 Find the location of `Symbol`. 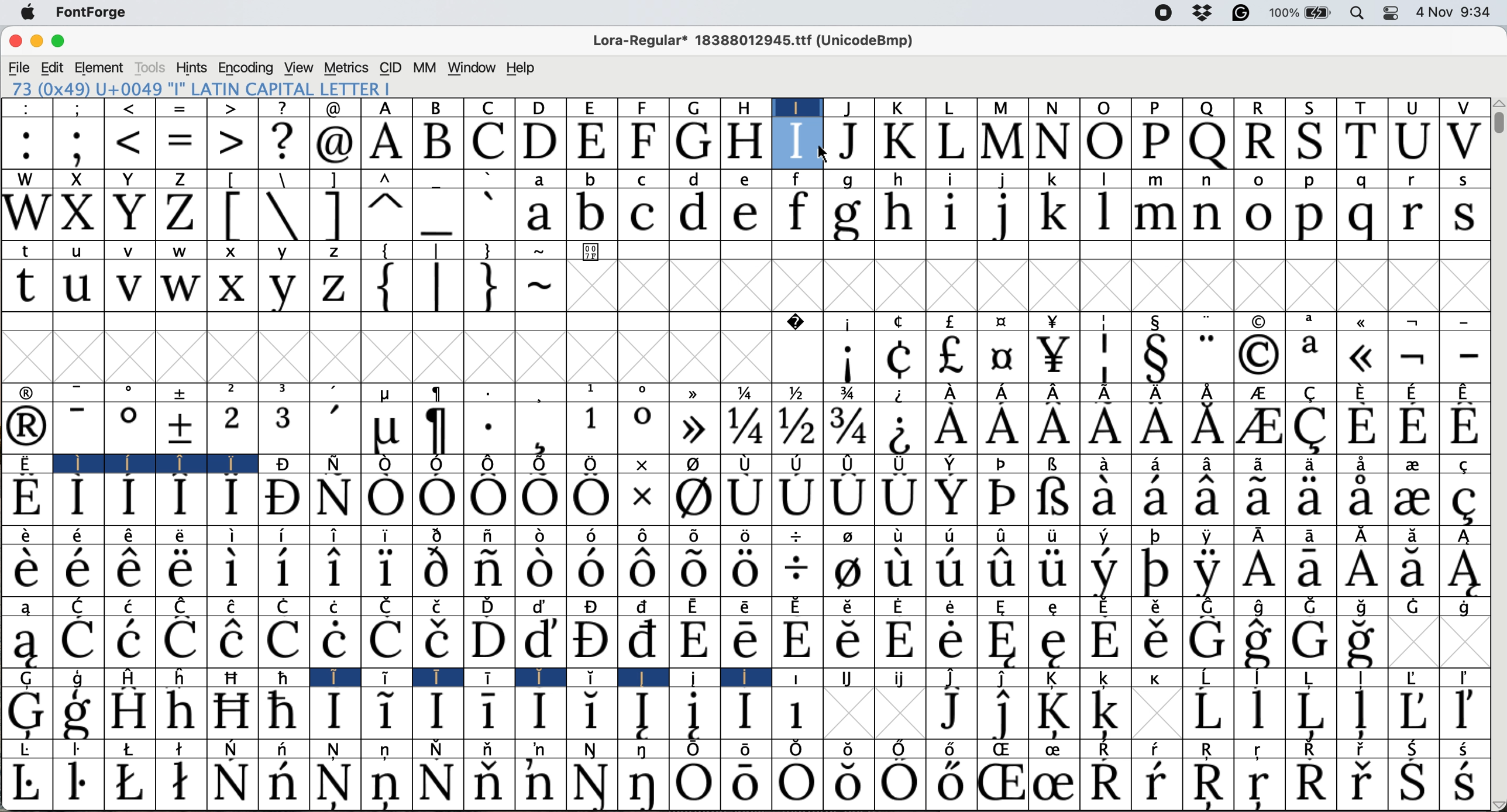

Symbol is located at coordinates (232, 498).